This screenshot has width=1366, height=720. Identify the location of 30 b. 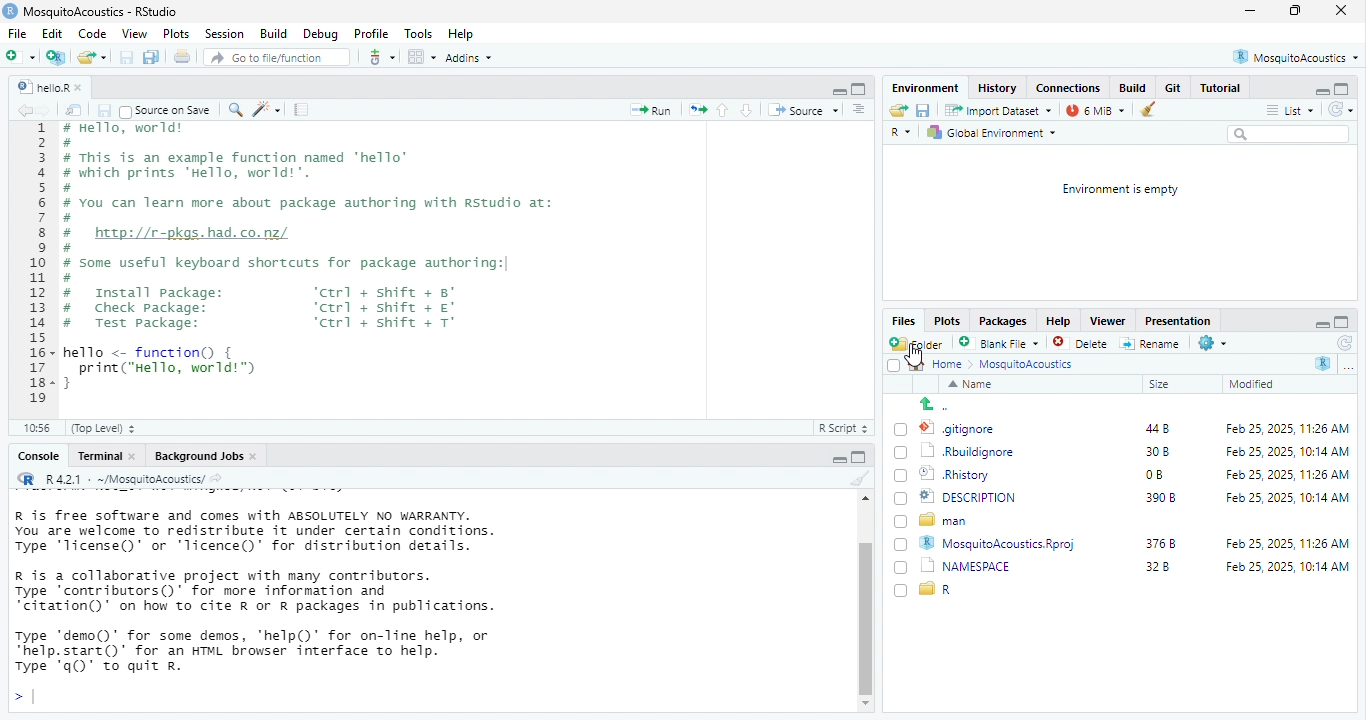
(1154, 451).